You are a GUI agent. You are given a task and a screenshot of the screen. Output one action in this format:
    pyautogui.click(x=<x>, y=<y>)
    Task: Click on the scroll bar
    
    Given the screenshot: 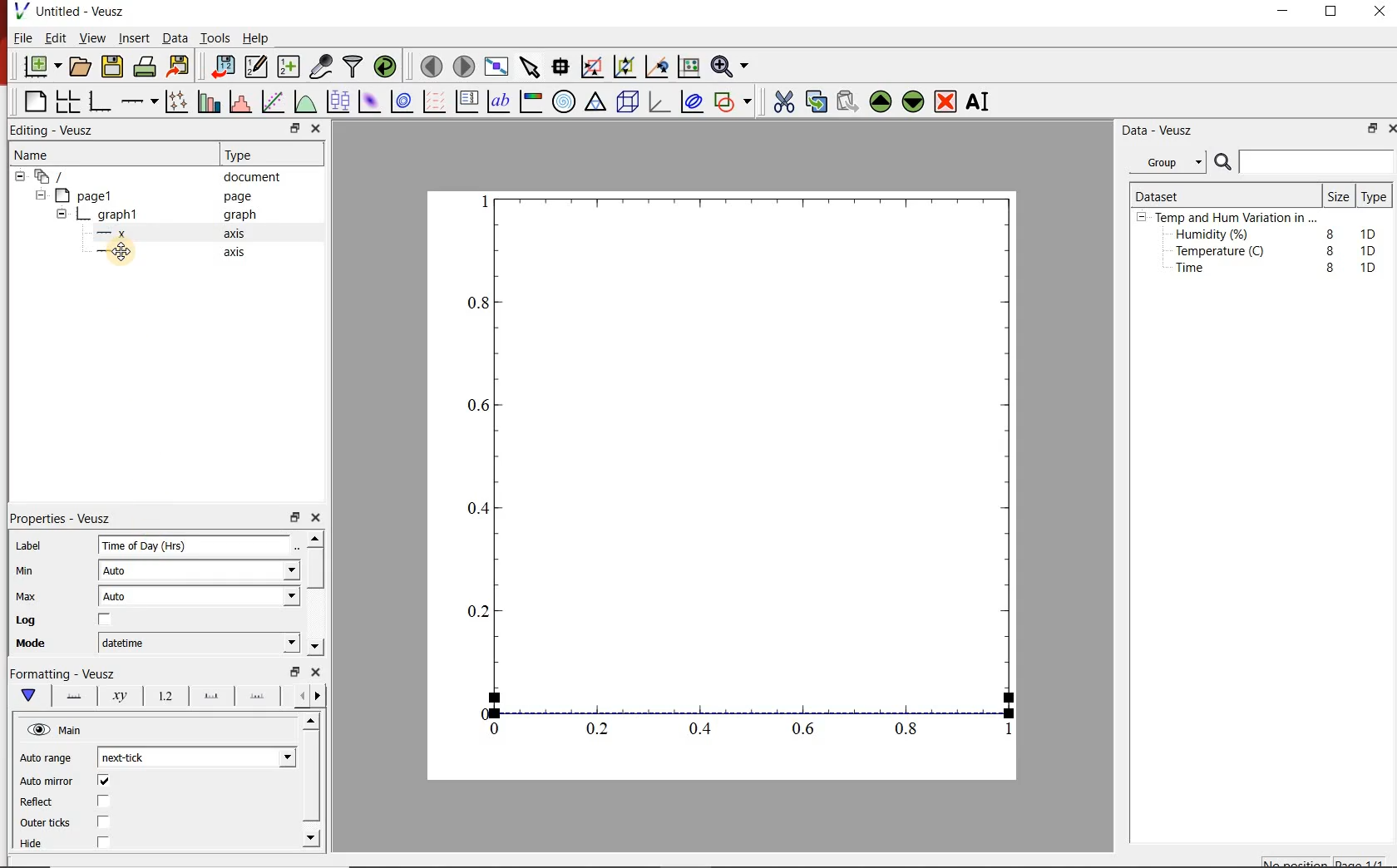 What is the action you would take?
    pyautogui.click(x=311, y=778)
    